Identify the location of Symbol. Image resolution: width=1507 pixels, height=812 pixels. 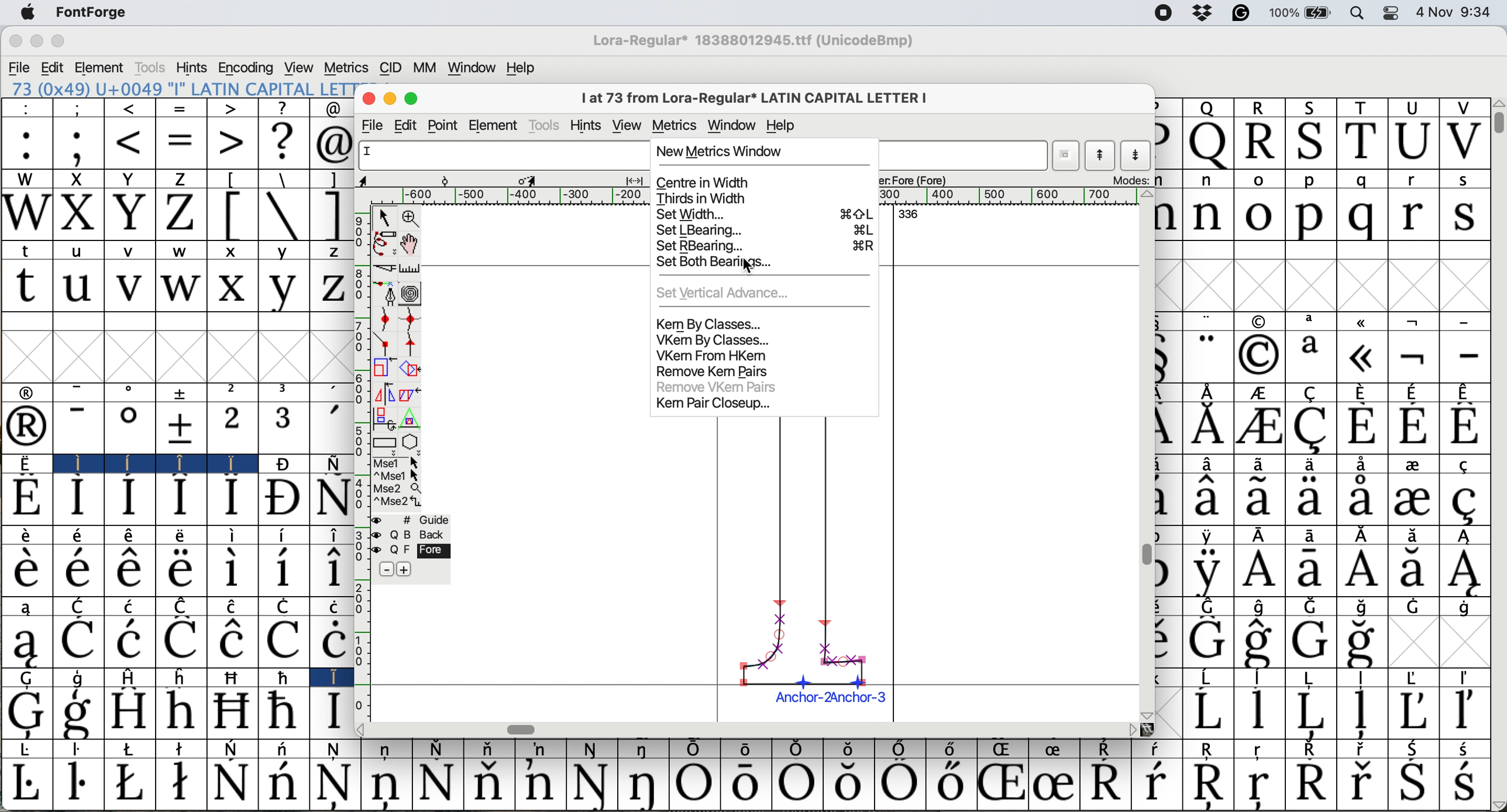
(26, 498).